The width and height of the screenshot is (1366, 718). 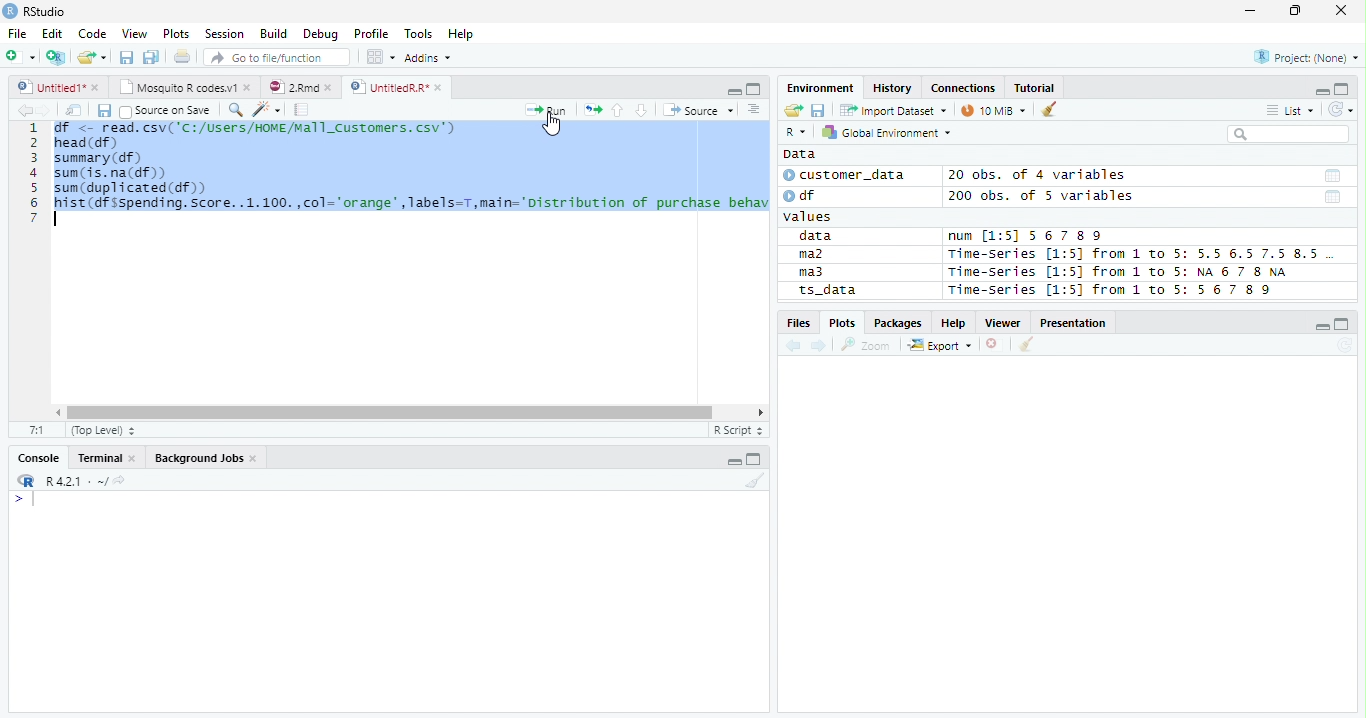 What do you see at coordinates (891, 110) in the screenshot?
I see `Import Dataset` at bounding box center [891, 110].